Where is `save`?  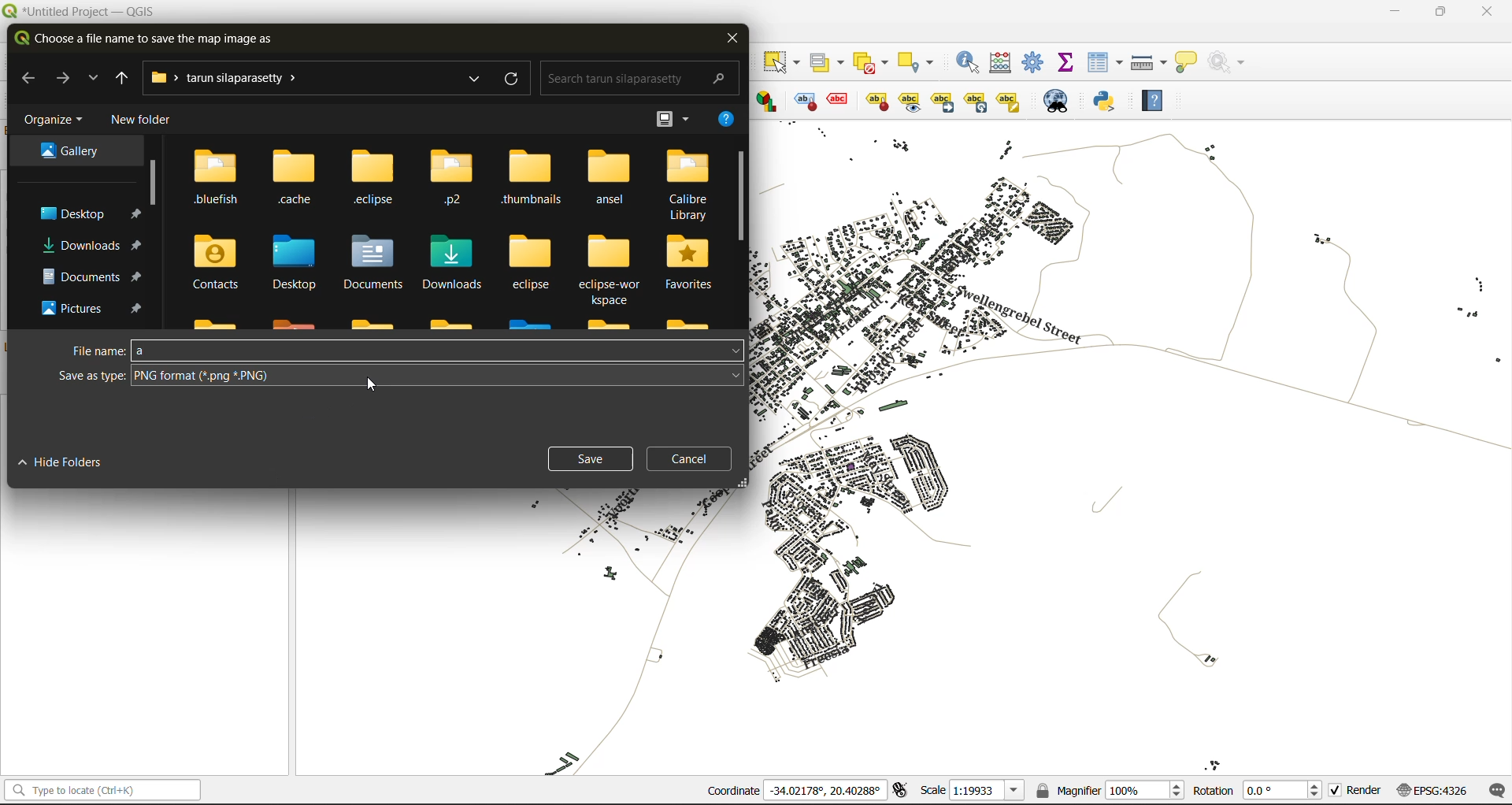
save is located at coordinates (591, 460).